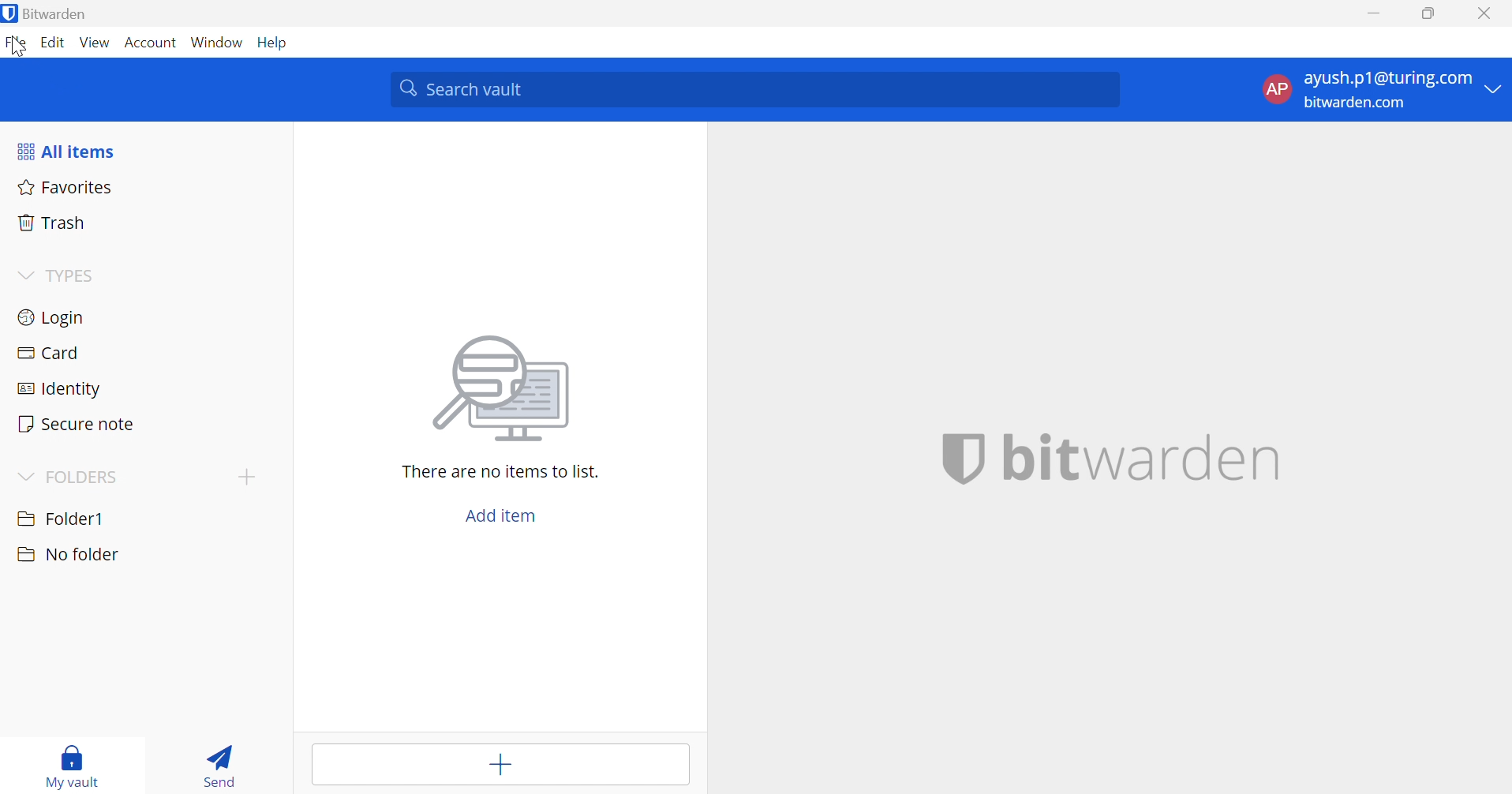  Describe the element at coordinates (1486, 13) in the screenshot. I see `Close` at that location.